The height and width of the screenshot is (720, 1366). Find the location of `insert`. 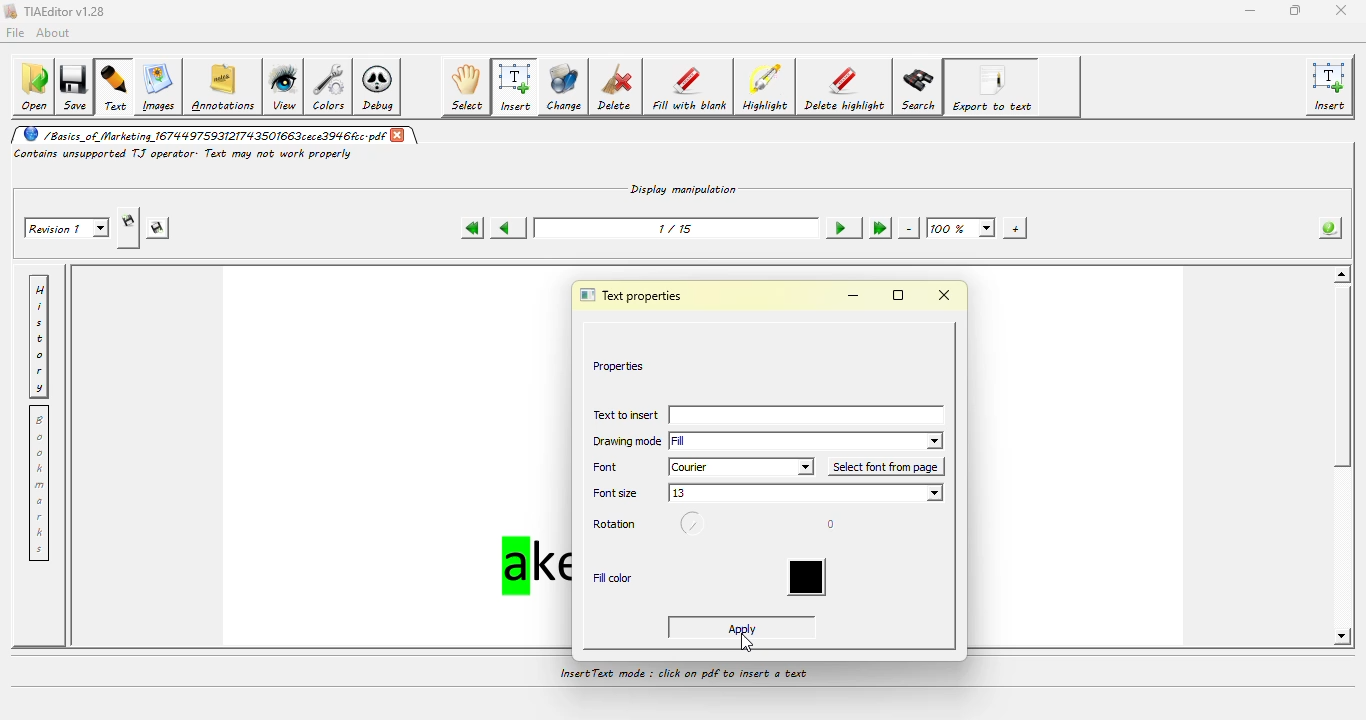

insert is located at coordinates (1332, 87).